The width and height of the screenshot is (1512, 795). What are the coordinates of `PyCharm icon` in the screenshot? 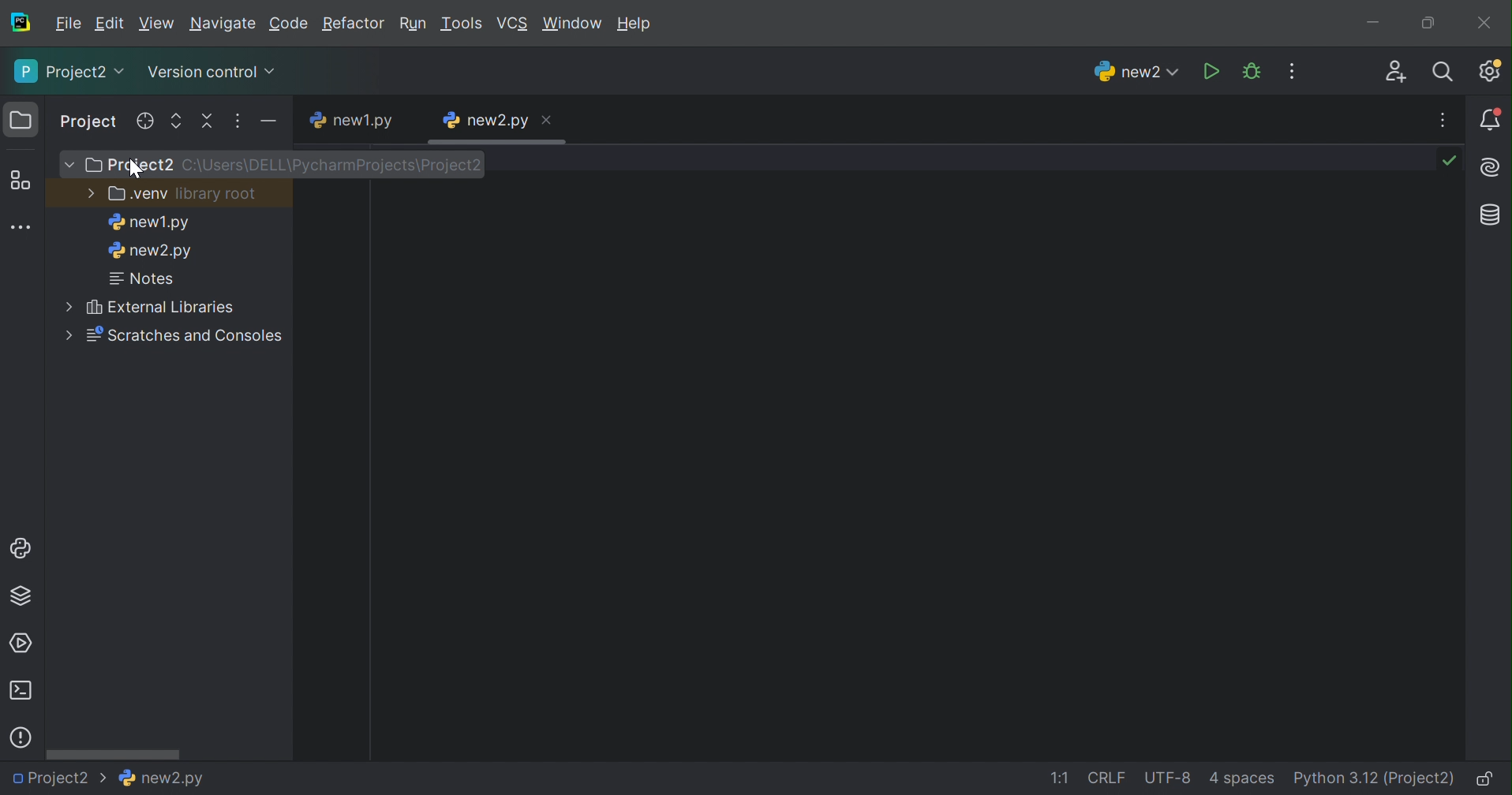 It's located at (20, 22).